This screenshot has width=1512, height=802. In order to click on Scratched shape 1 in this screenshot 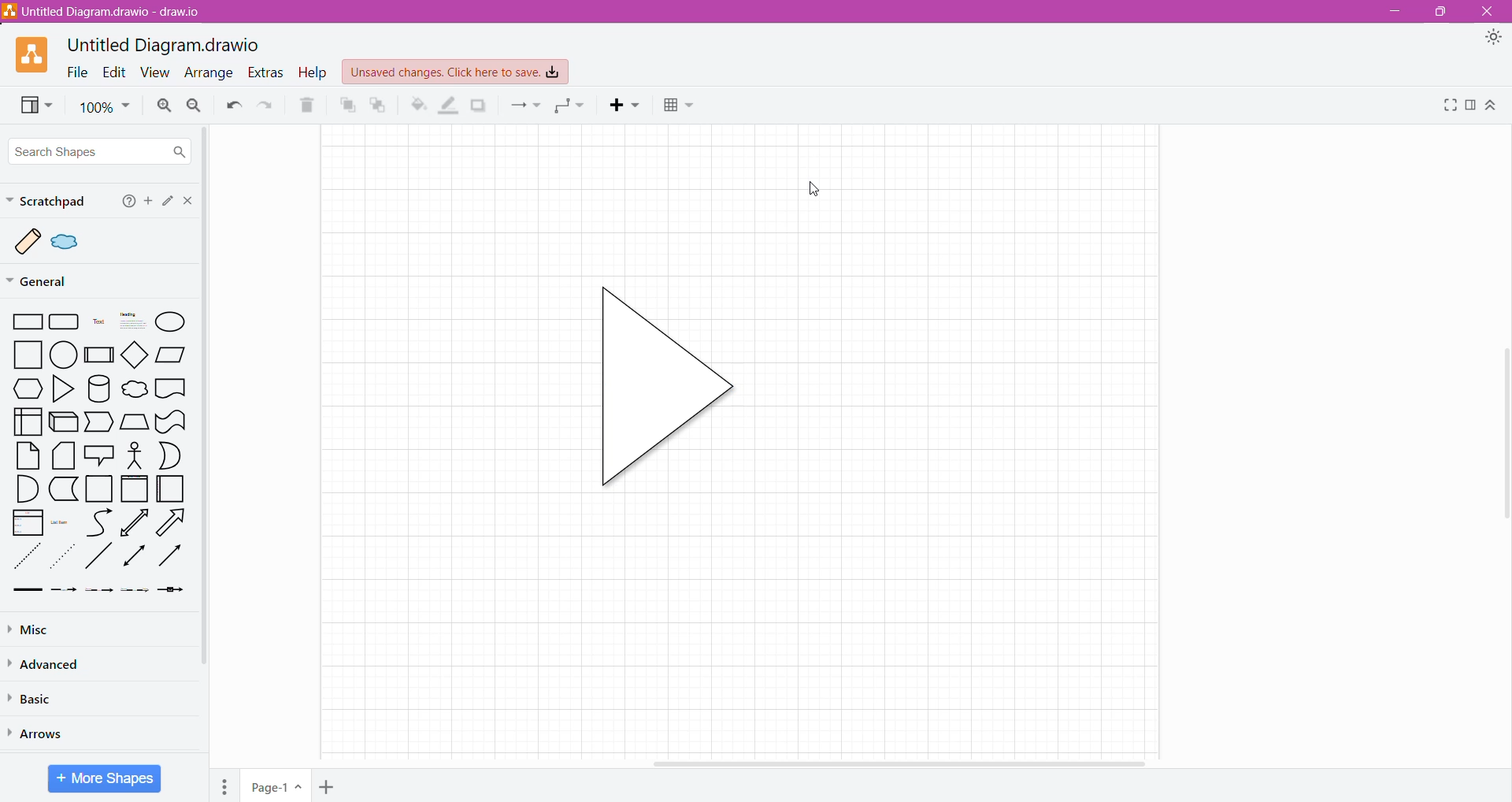, I will do `click(29, 242)`.